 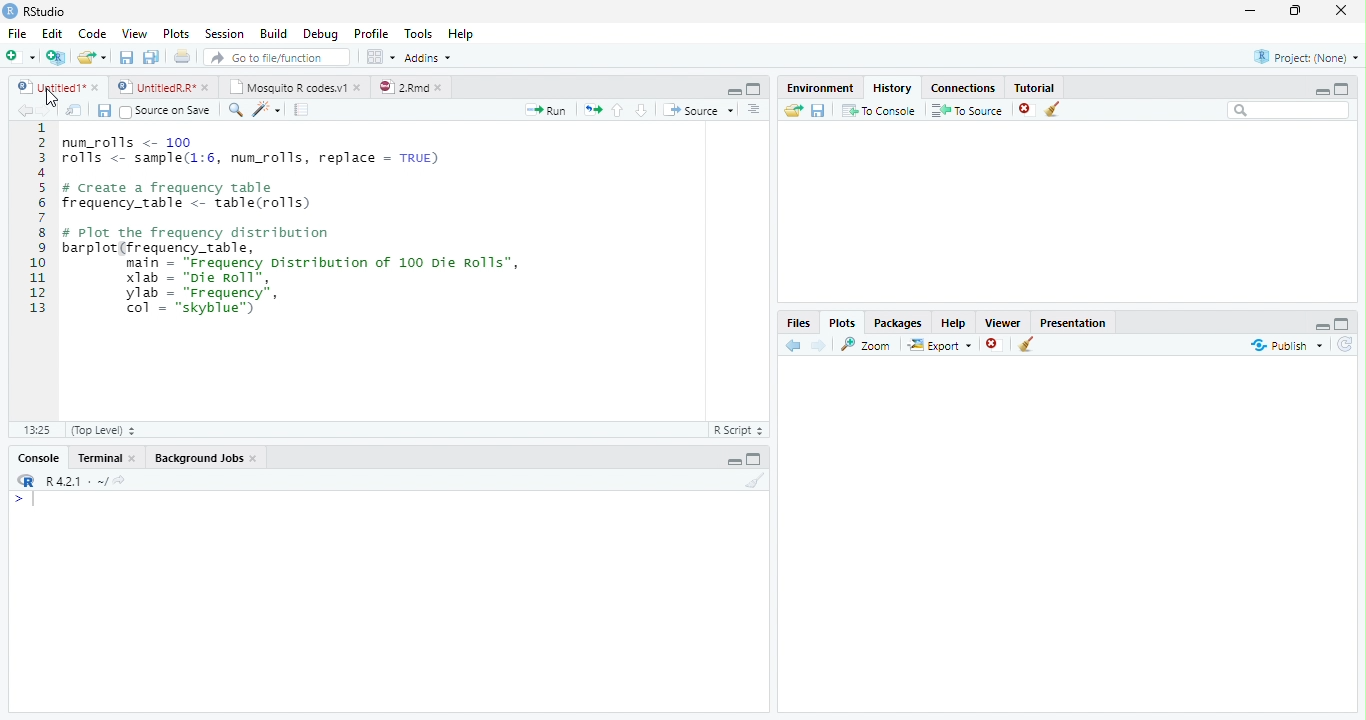 What do you see at coordinates (165, 111) in the screenshot?
I see `Source on Save` at bounding box center [165, 111].